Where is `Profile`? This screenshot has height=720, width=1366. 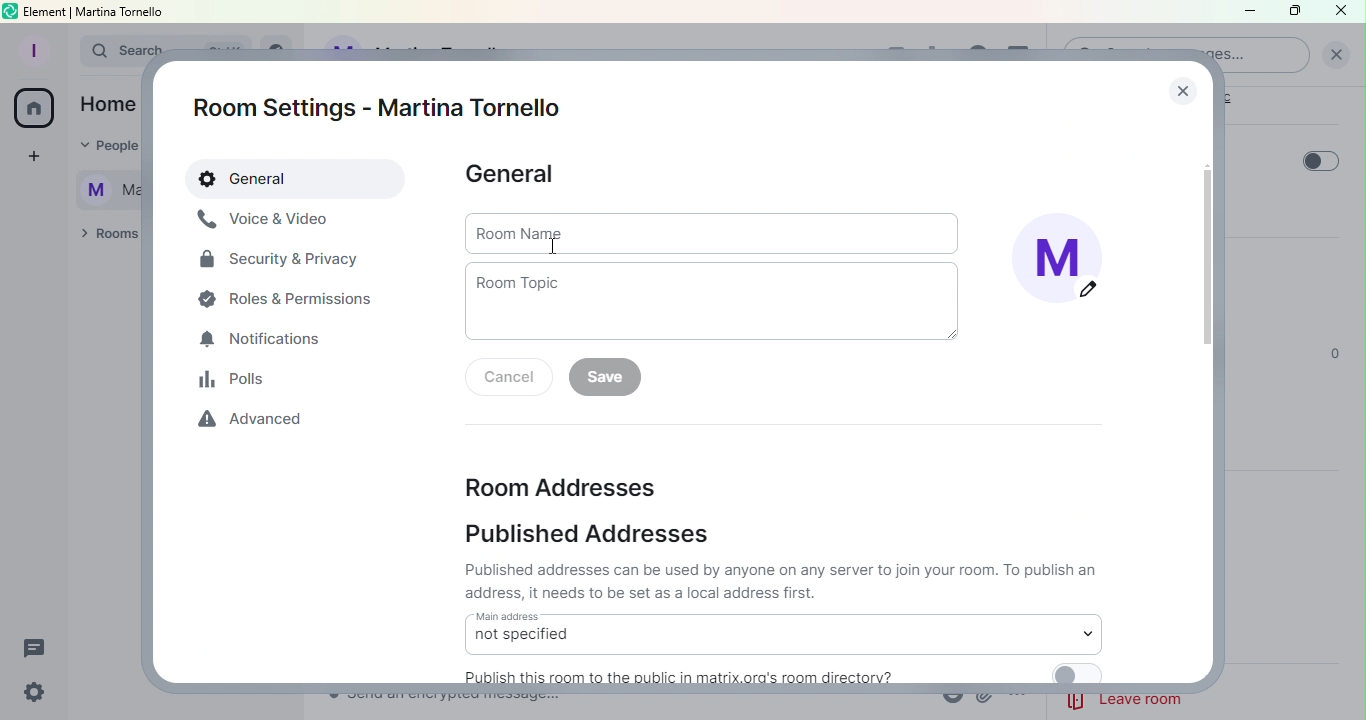 Profile is located at coordinates (31, 48).